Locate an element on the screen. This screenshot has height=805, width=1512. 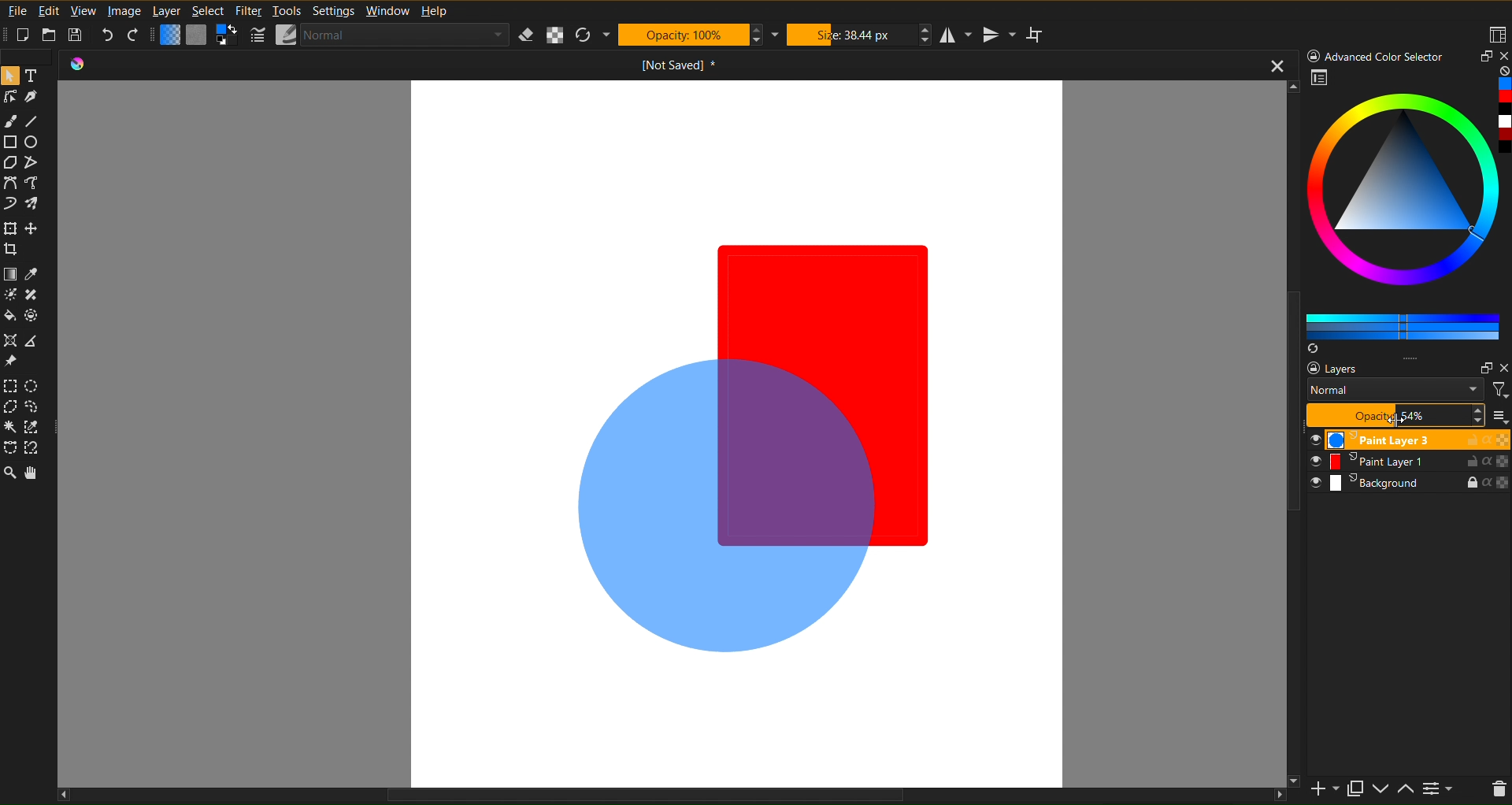
del is located at coordinates (1499, 792).